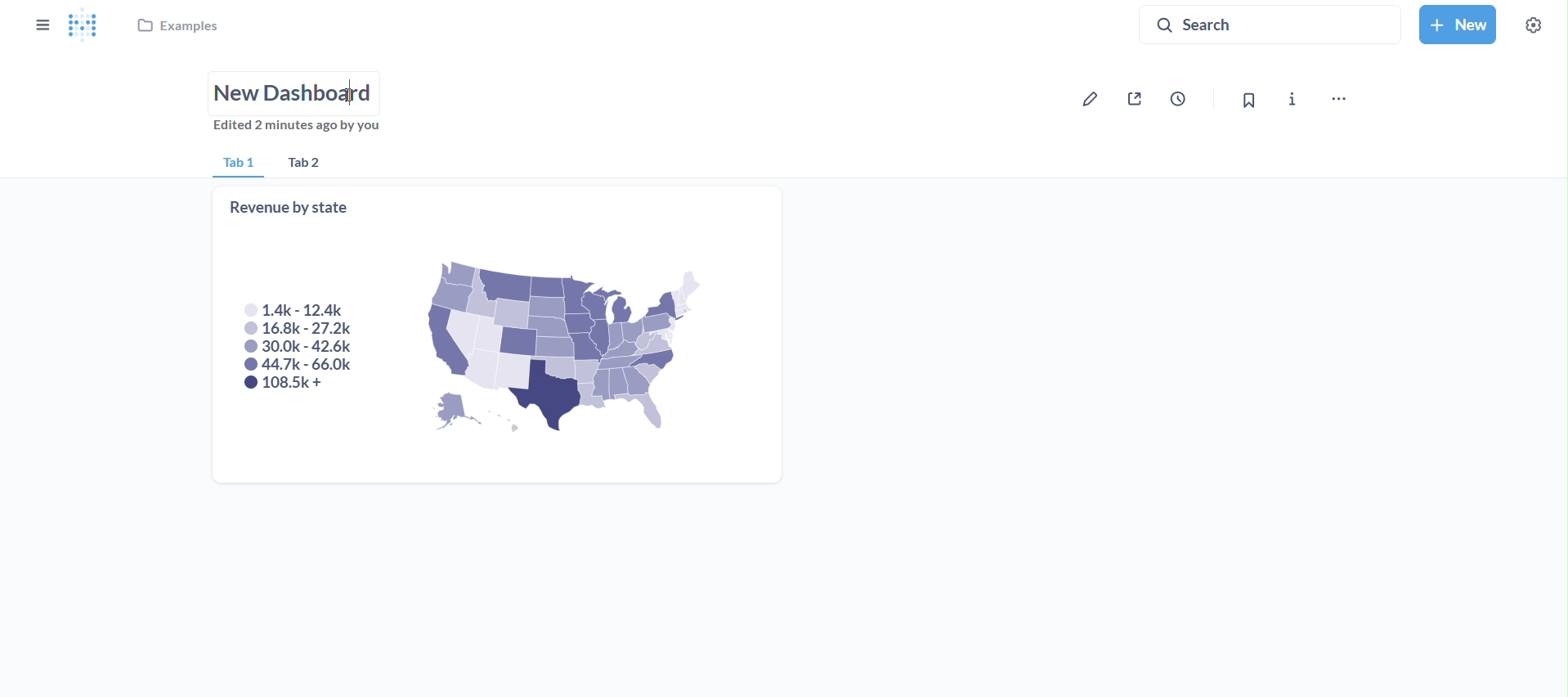 The width and height of the screenshot is (1568, 697). Describe the element at coordinates (1244, 100) in the screenshot. I see `bookmark` at that location.